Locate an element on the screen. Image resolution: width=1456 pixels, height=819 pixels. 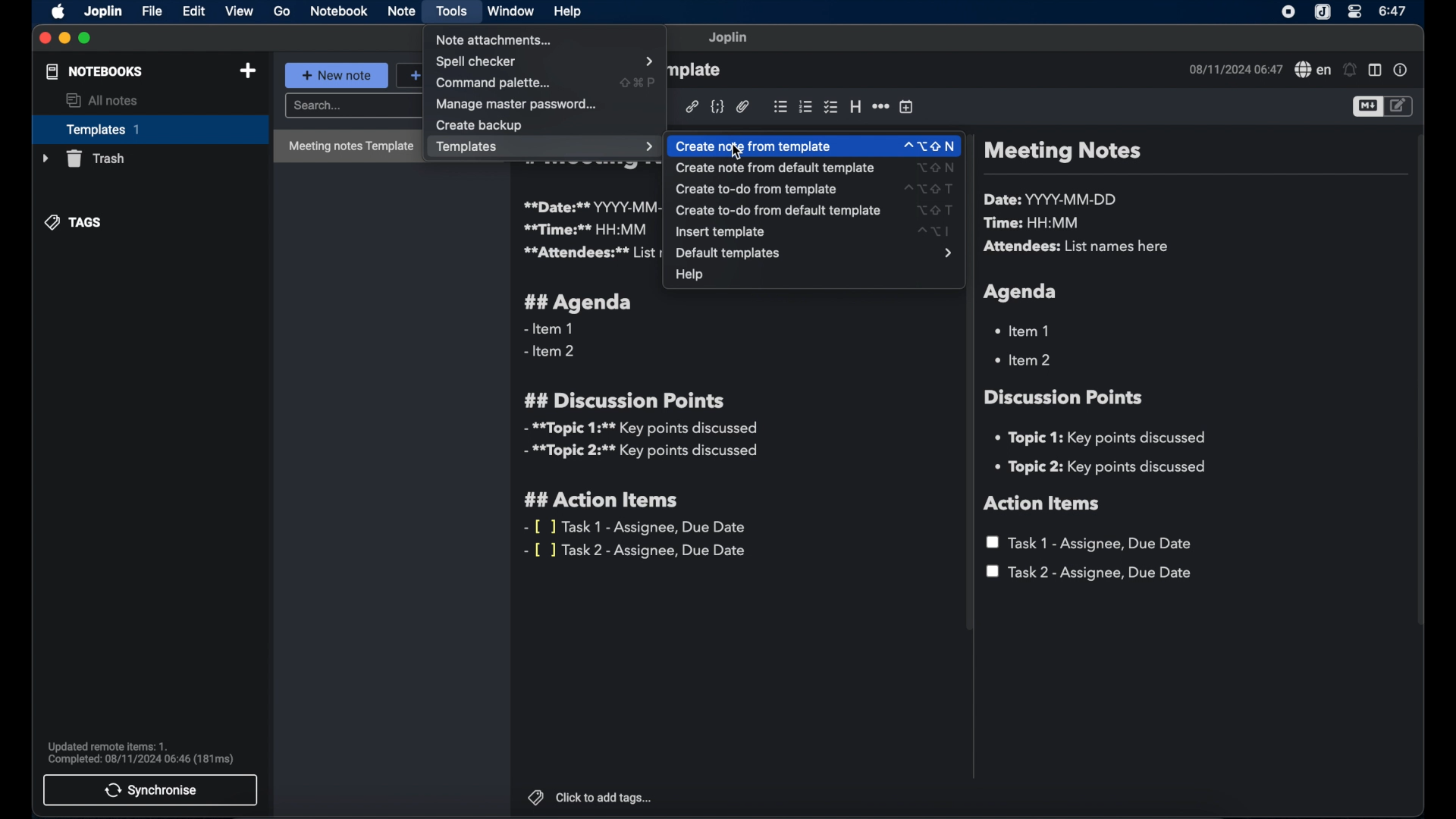
common palette shortcut is located at coordinates (639, 82).